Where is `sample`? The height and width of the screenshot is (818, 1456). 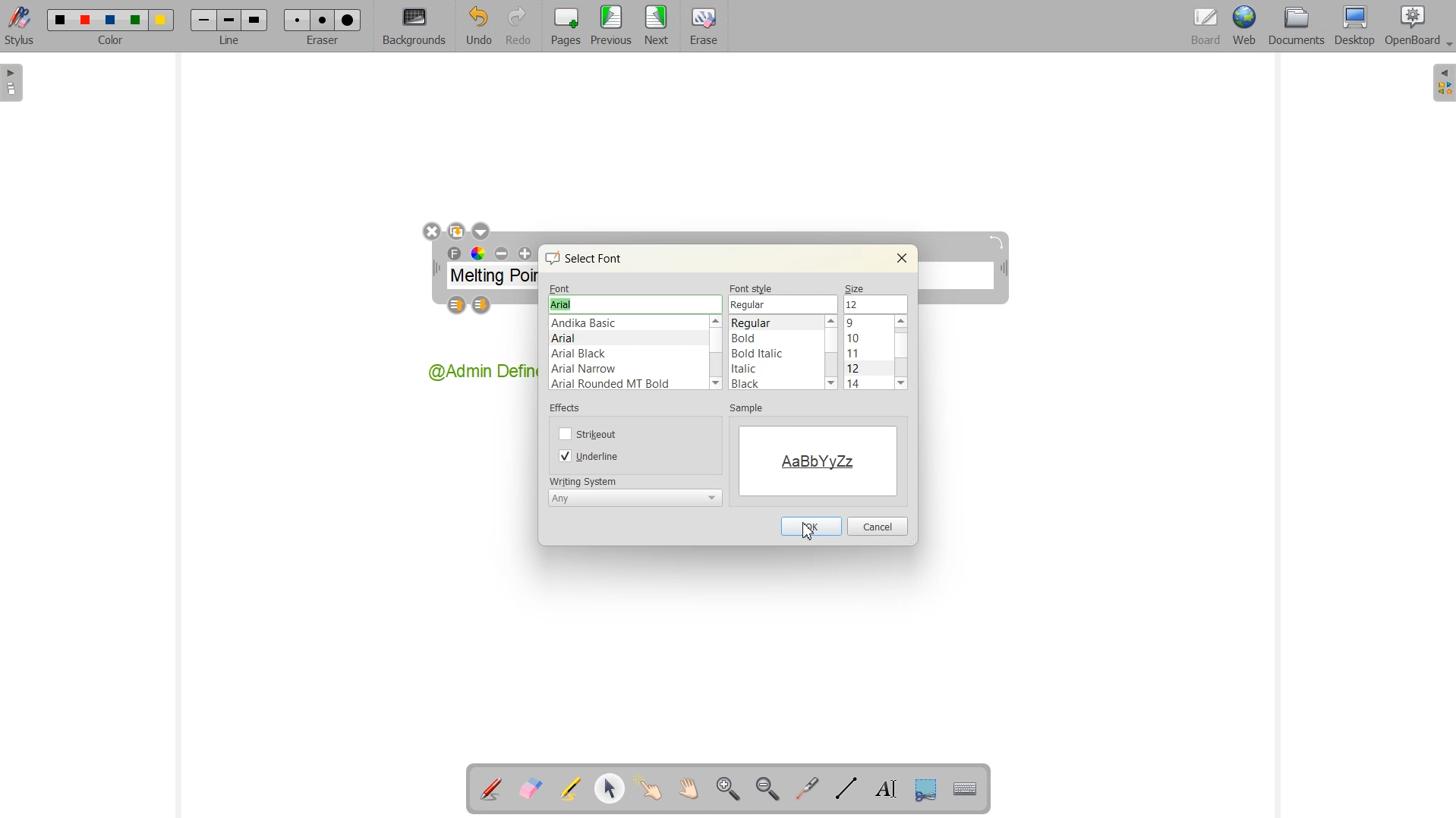
sample is located at coordinates (752, 410).